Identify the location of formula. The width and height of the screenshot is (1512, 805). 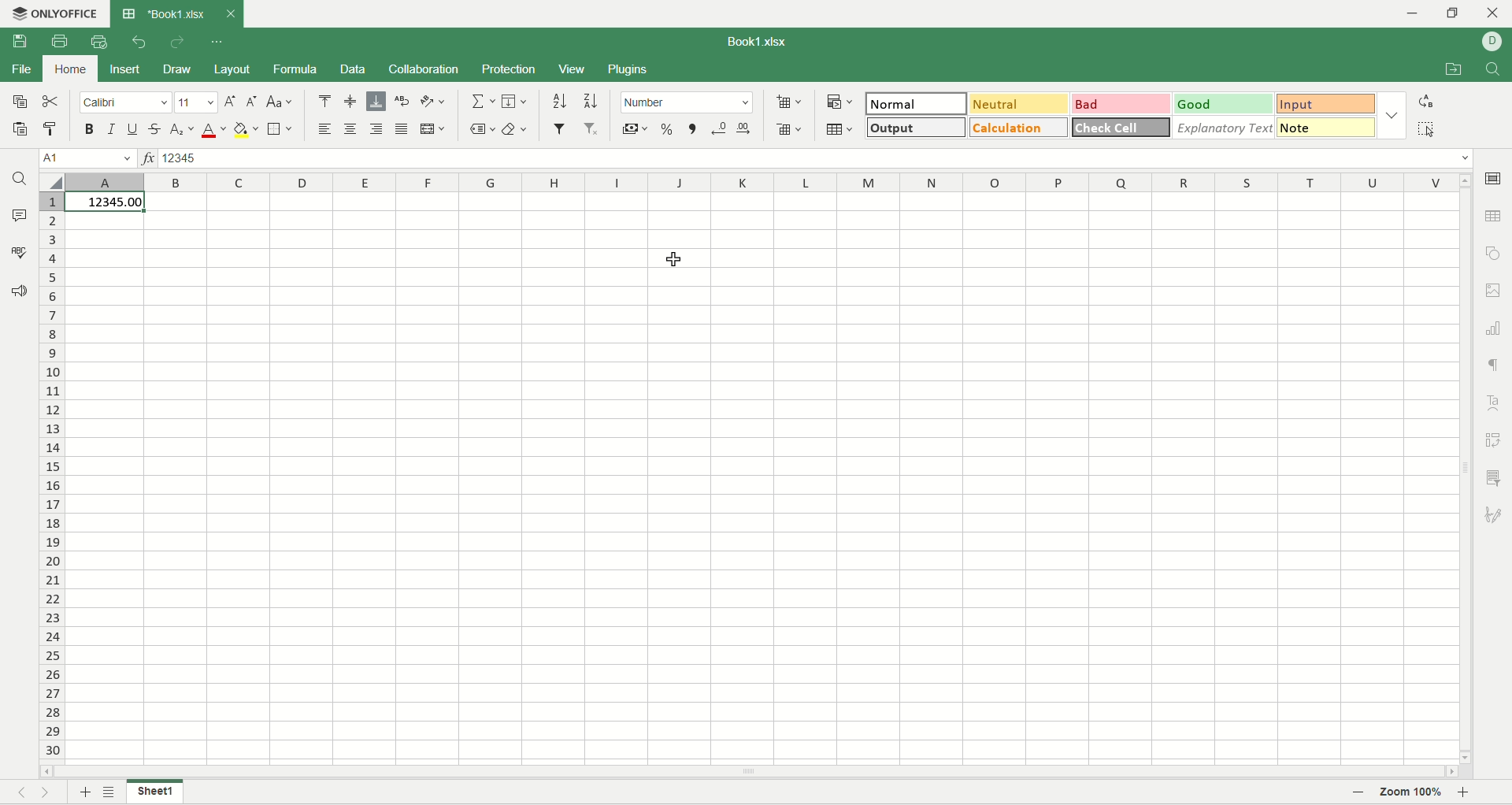
(296, 70).